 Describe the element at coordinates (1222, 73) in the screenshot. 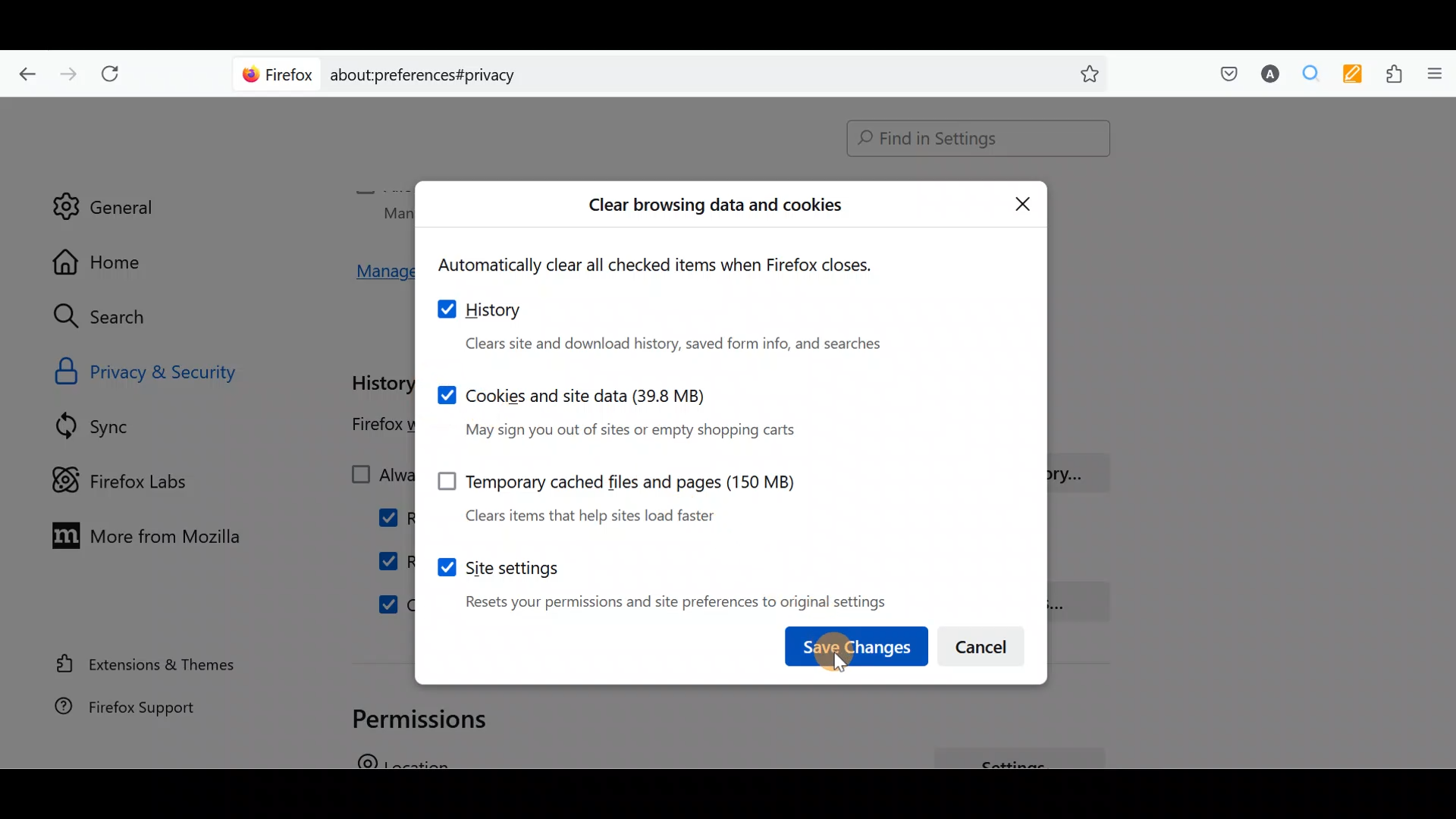

I see `Save to pocket` at that location.